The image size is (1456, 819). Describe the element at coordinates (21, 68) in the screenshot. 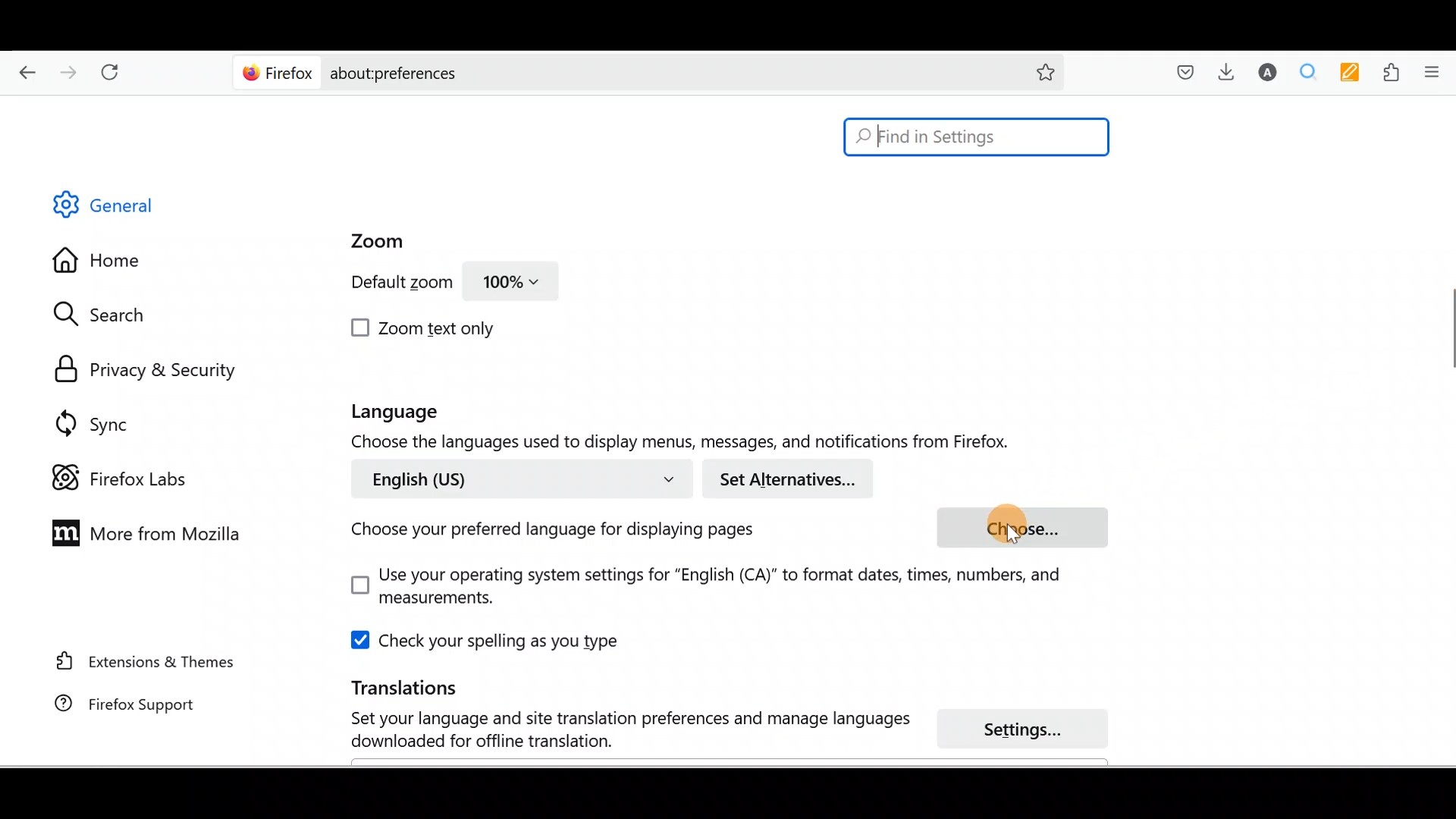

I see `Go back one page` at that location.